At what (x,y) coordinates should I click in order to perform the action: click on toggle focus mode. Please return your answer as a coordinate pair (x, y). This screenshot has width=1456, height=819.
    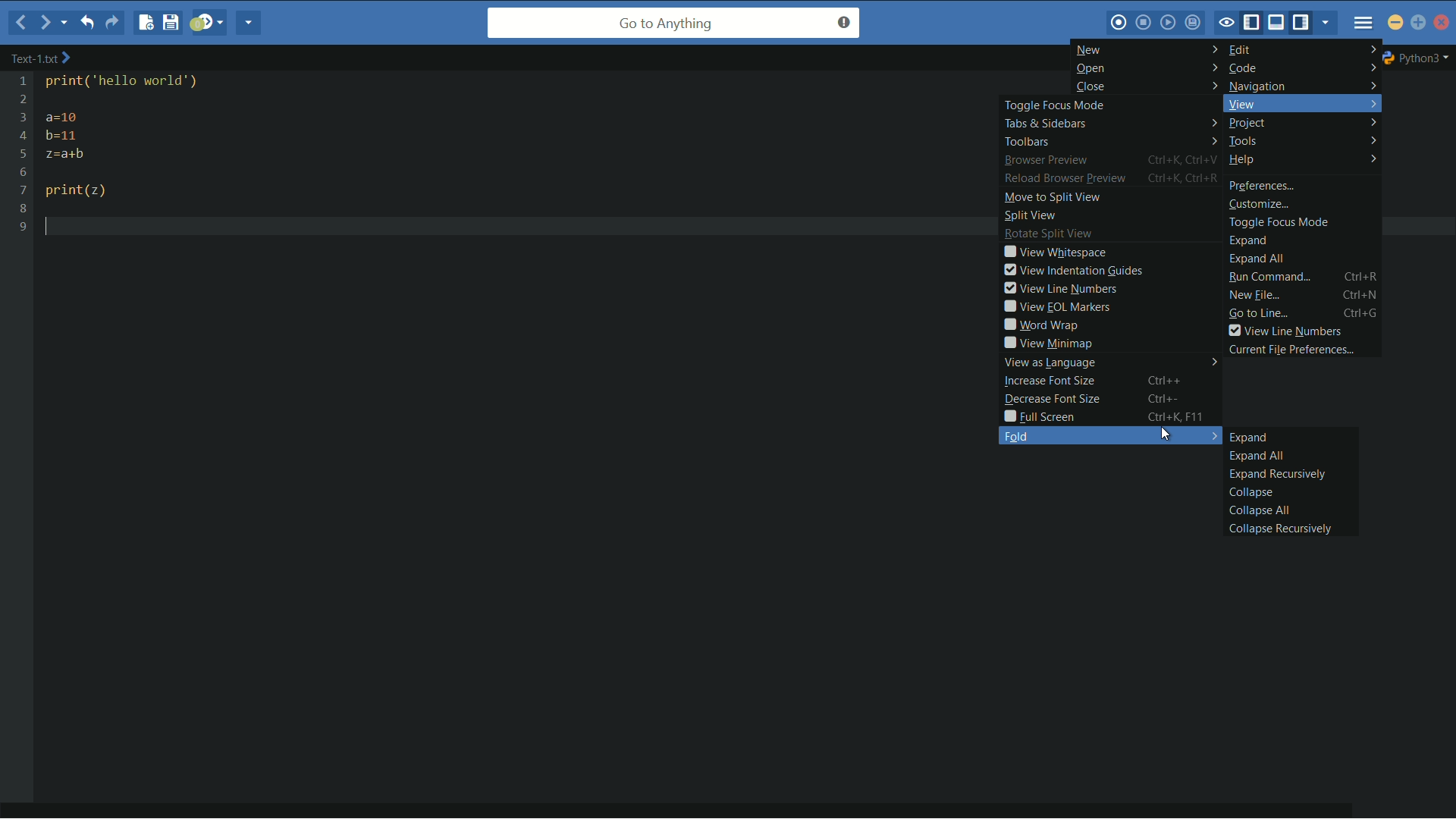
    Looking at the image, I should click on (1279, 221).